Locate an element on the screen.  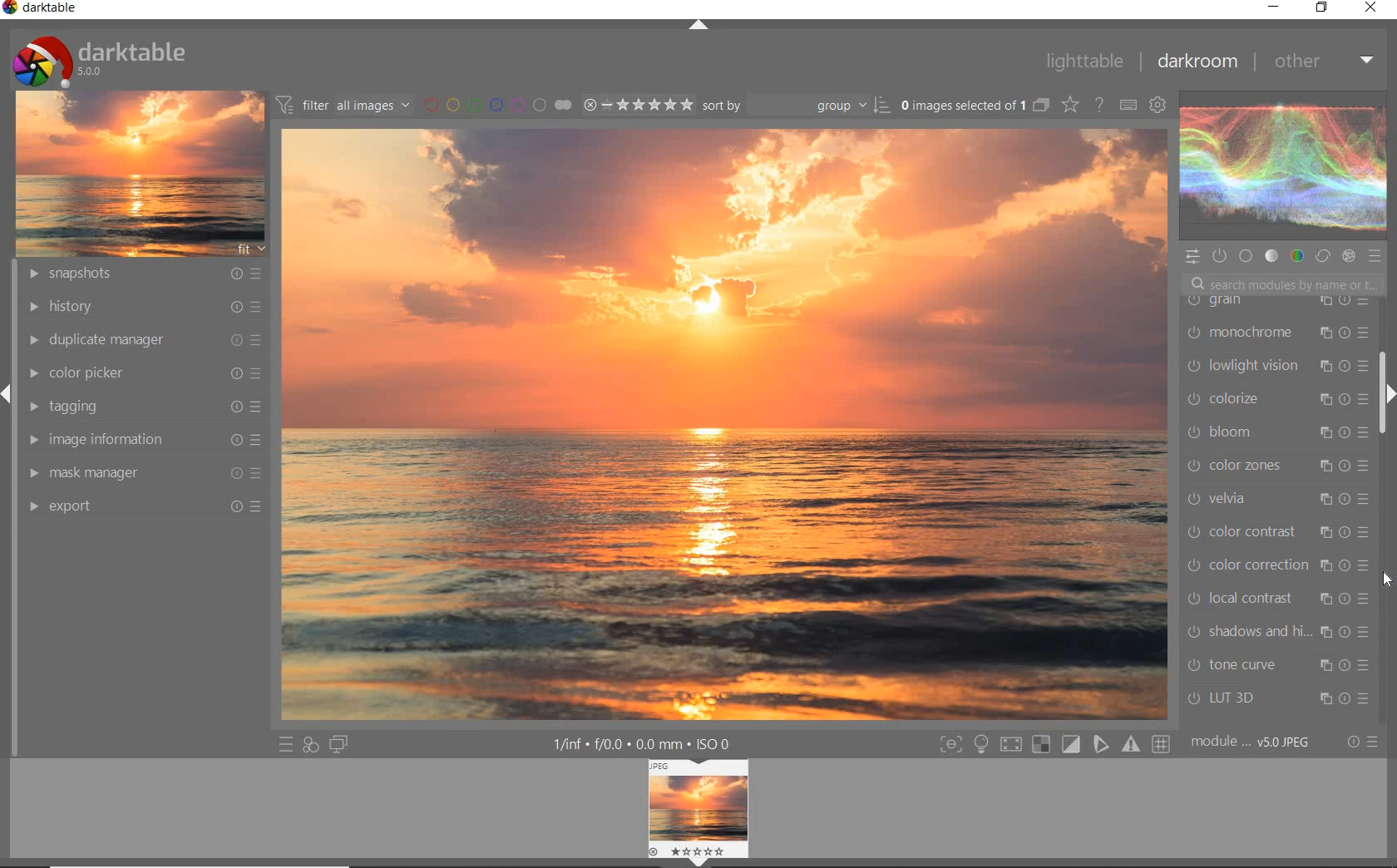
RESET OR PRESET &PREFERENCE is located at coordinates (1363, 742).